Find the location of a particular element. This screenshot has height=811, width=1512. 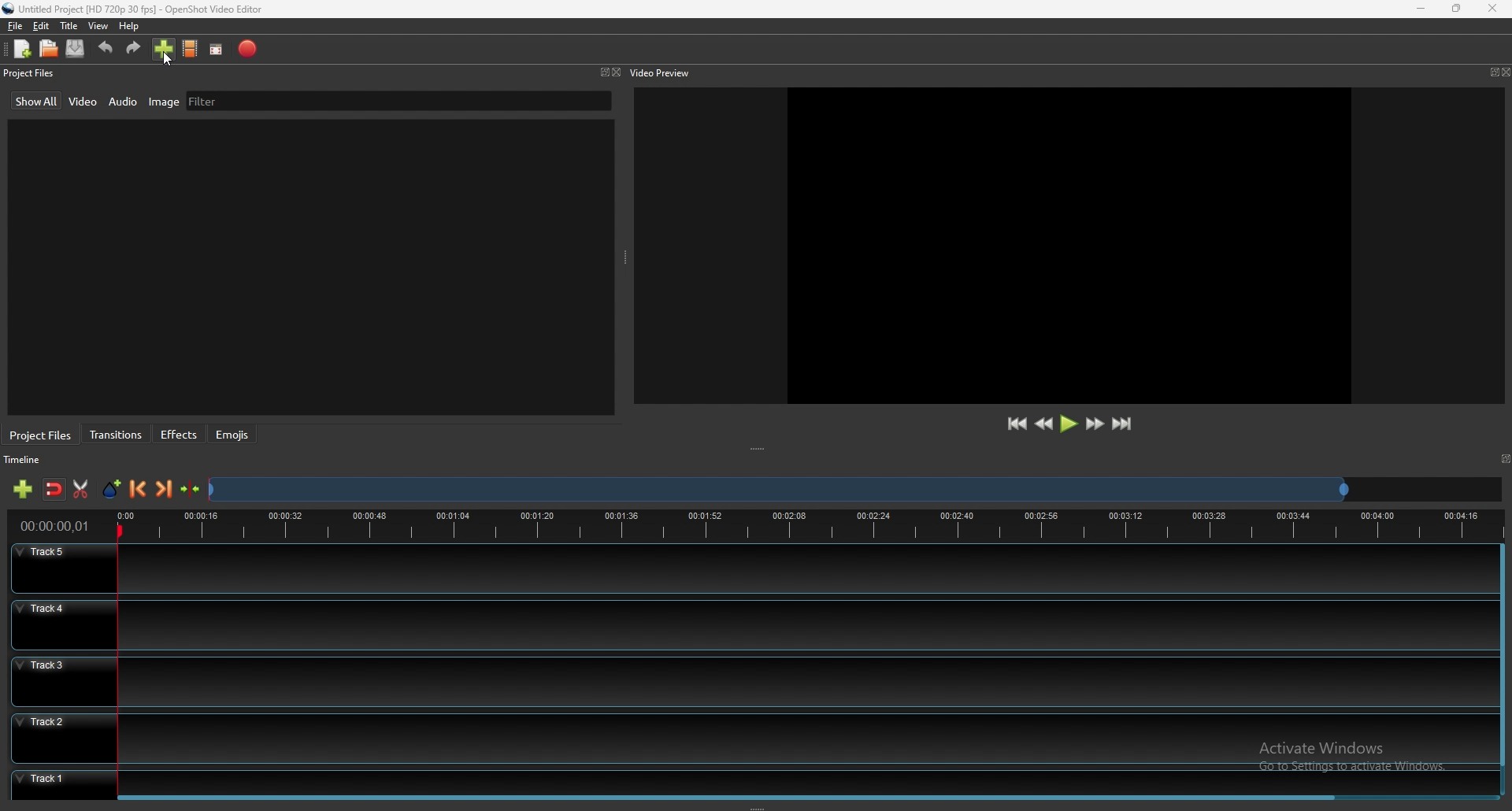

track 1 is located at coordinates (747, 780).